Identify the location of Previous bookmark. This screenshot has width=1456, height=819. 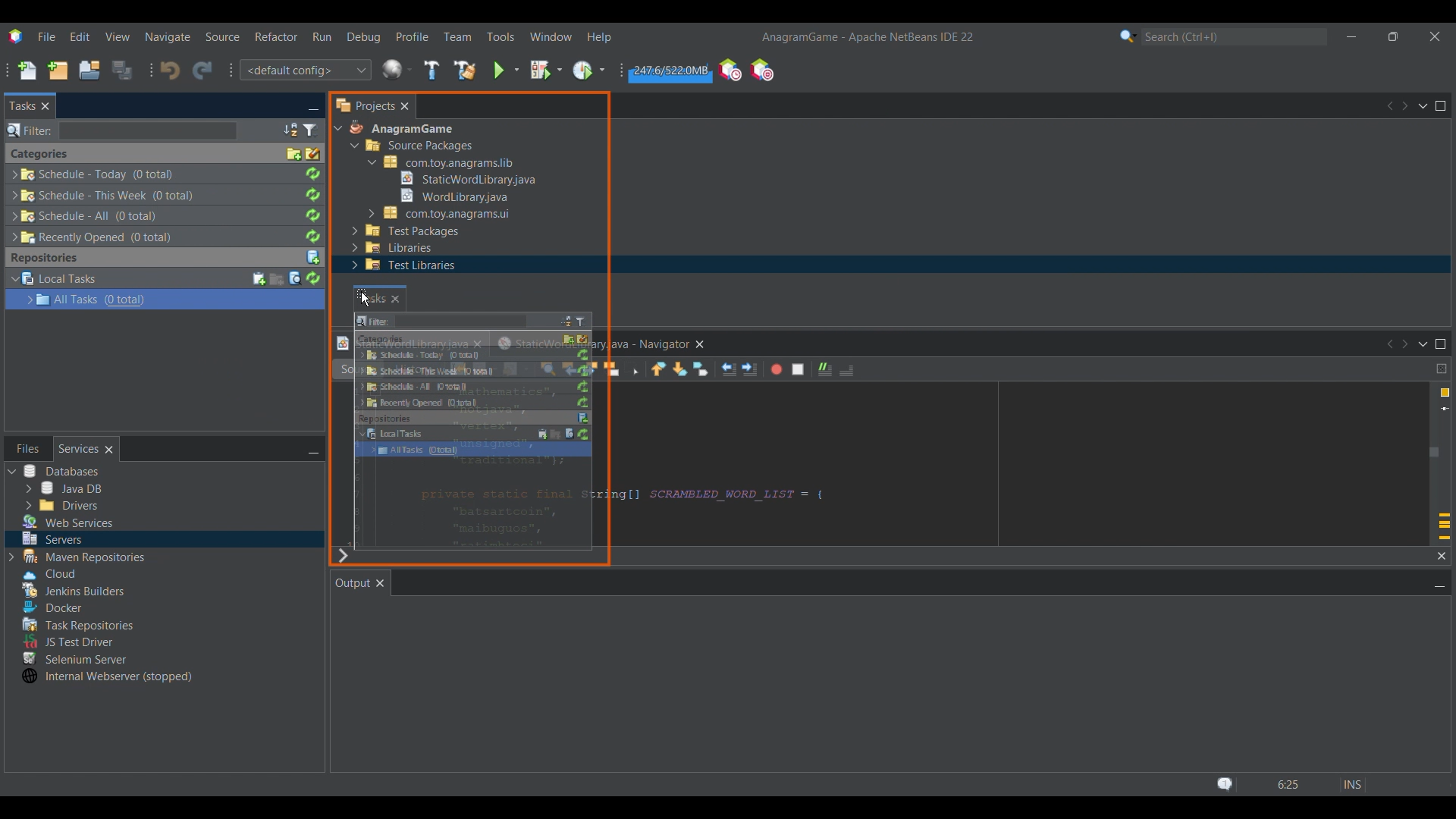
(658, 369).